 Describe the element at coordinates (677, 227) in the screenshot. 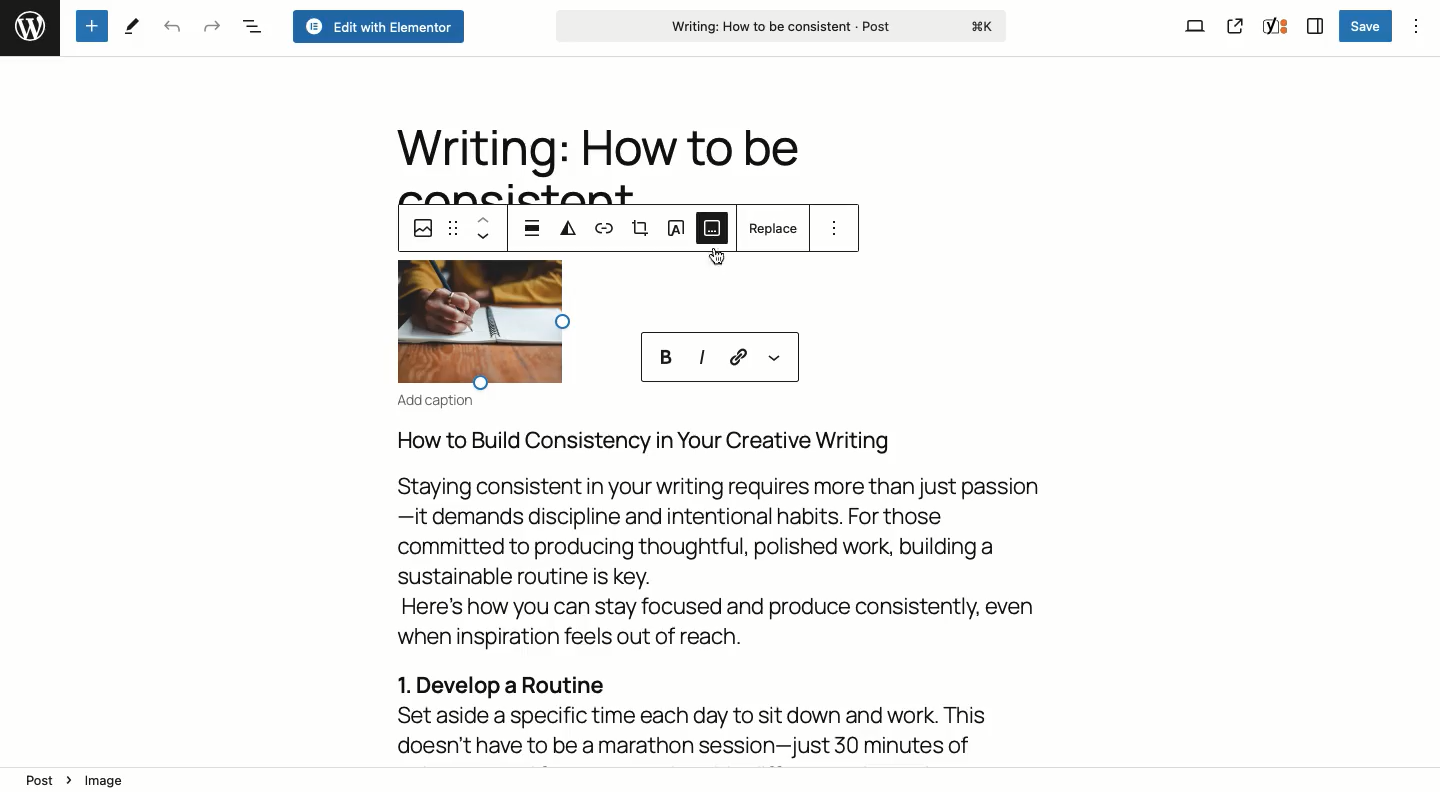

I see `Text over image` at that location.